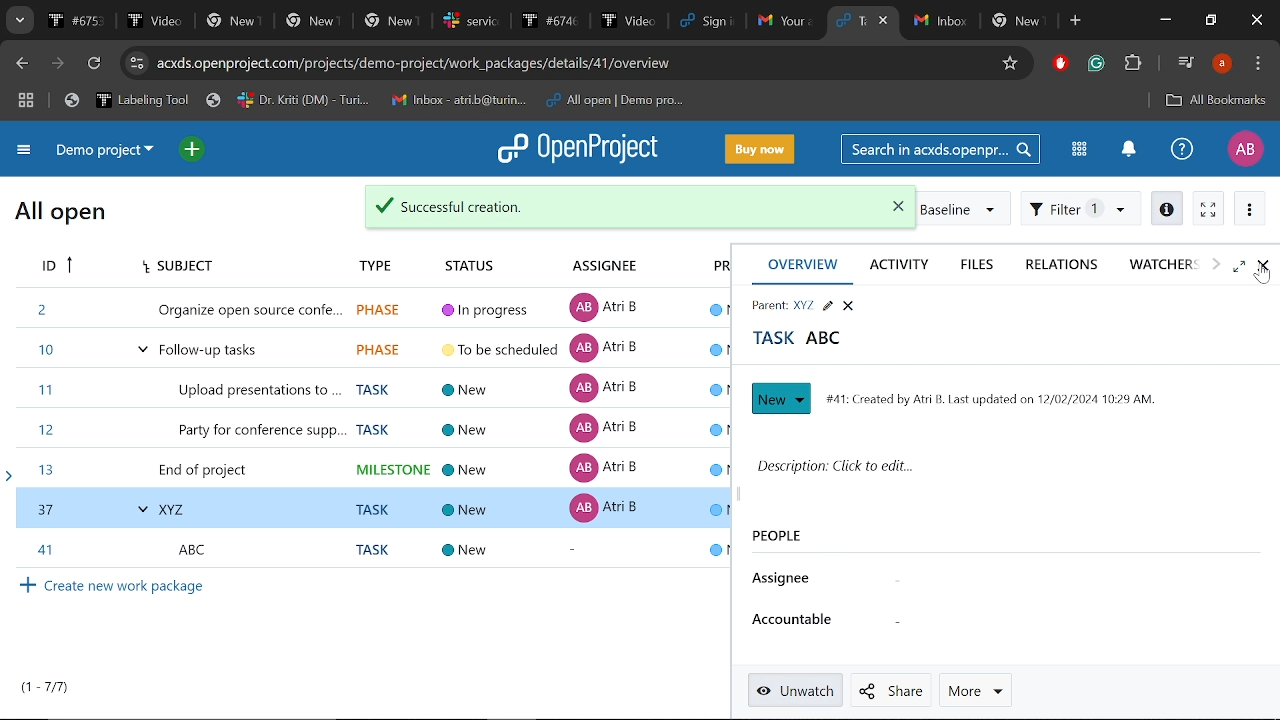 The width and height of the screenshot is (1280, 720). Describe the element at coordinates (601, 264) in the screenshot. I see `Assignee` at that location.